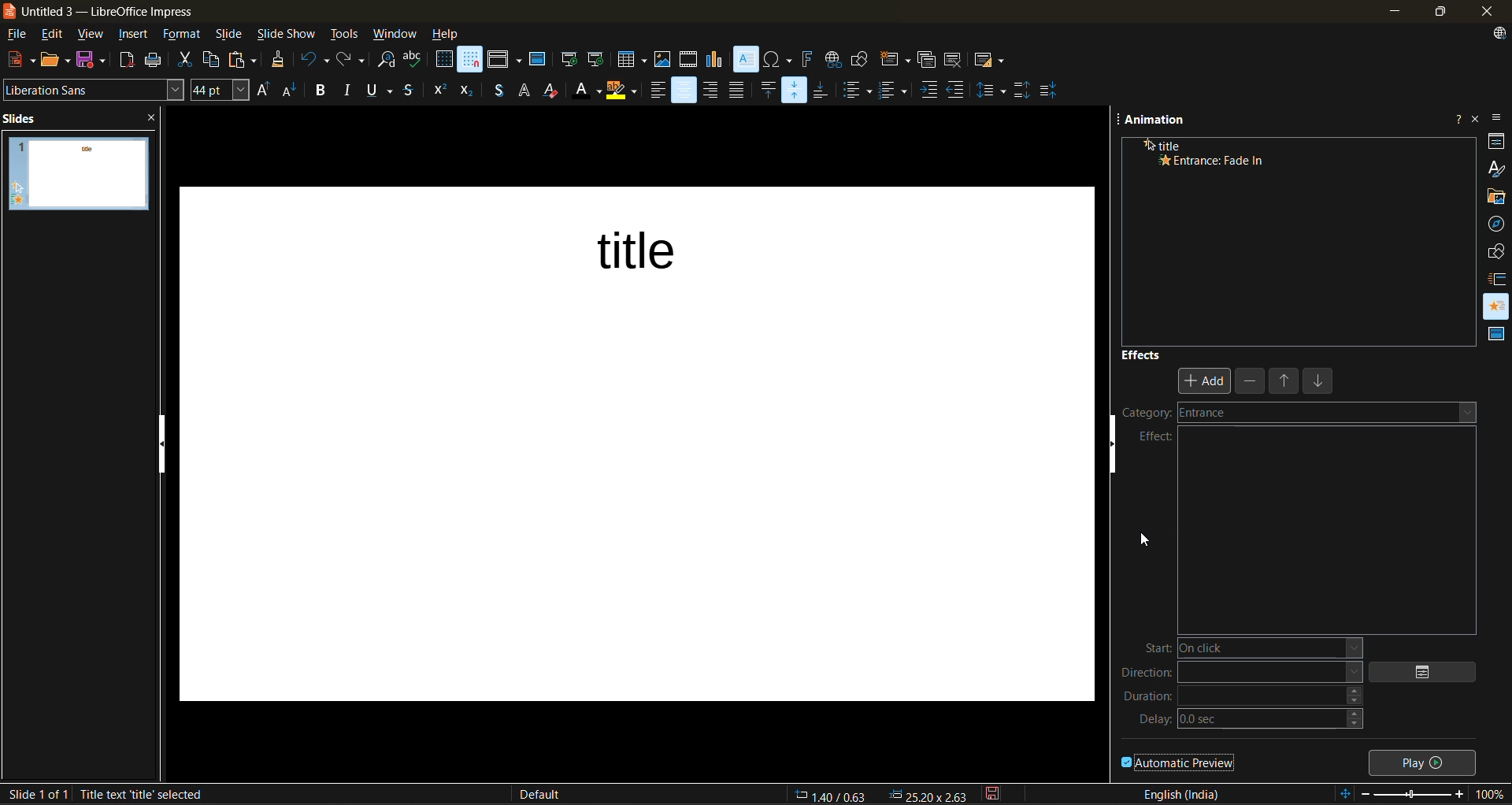  Describe the element at coordinates (744, 60) in the screenshot. I see `insert text box` at that location.